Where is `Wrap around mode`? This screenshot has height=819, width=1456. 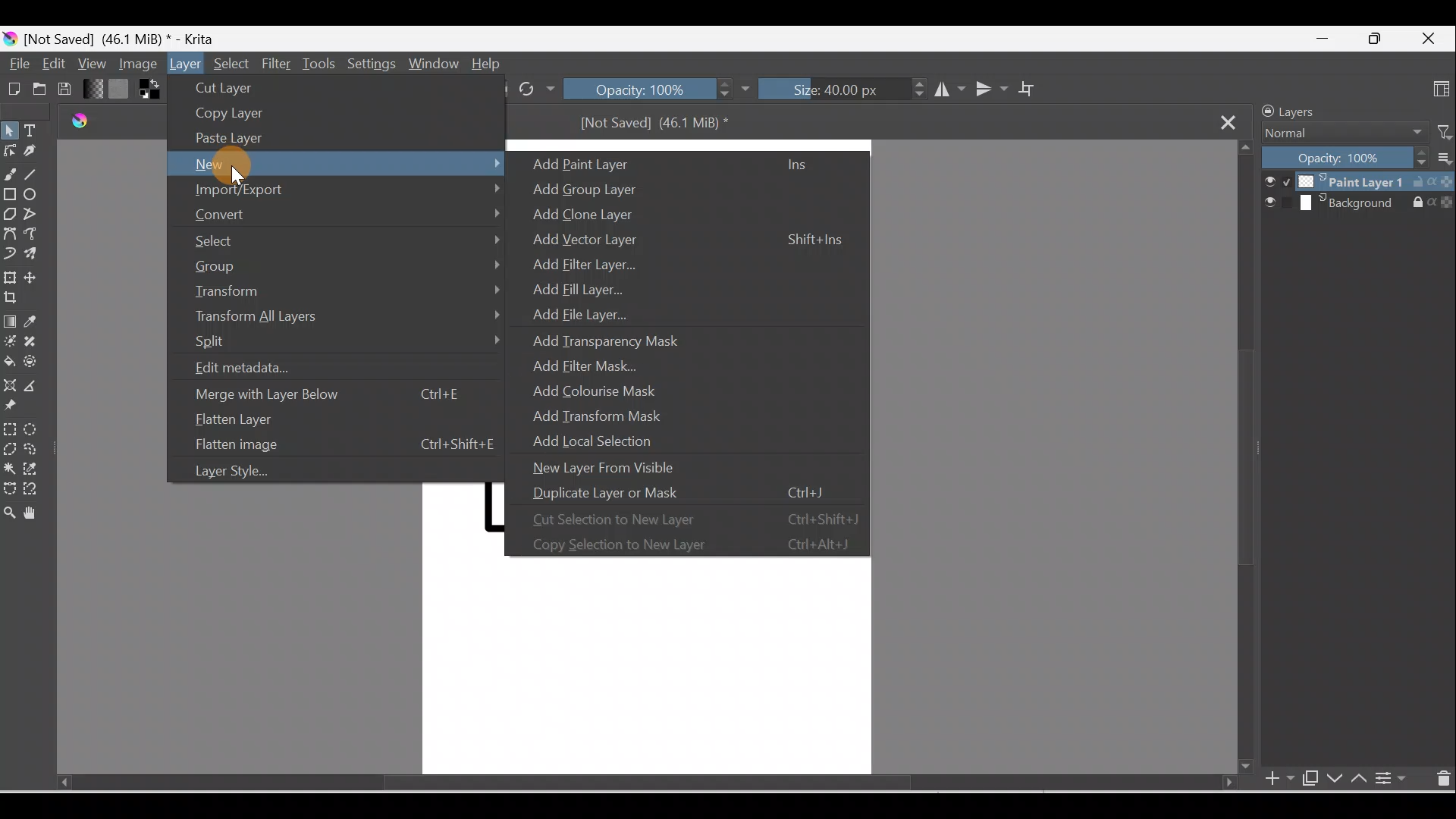 Wrap around mode is located at coordinates (1034, 89).